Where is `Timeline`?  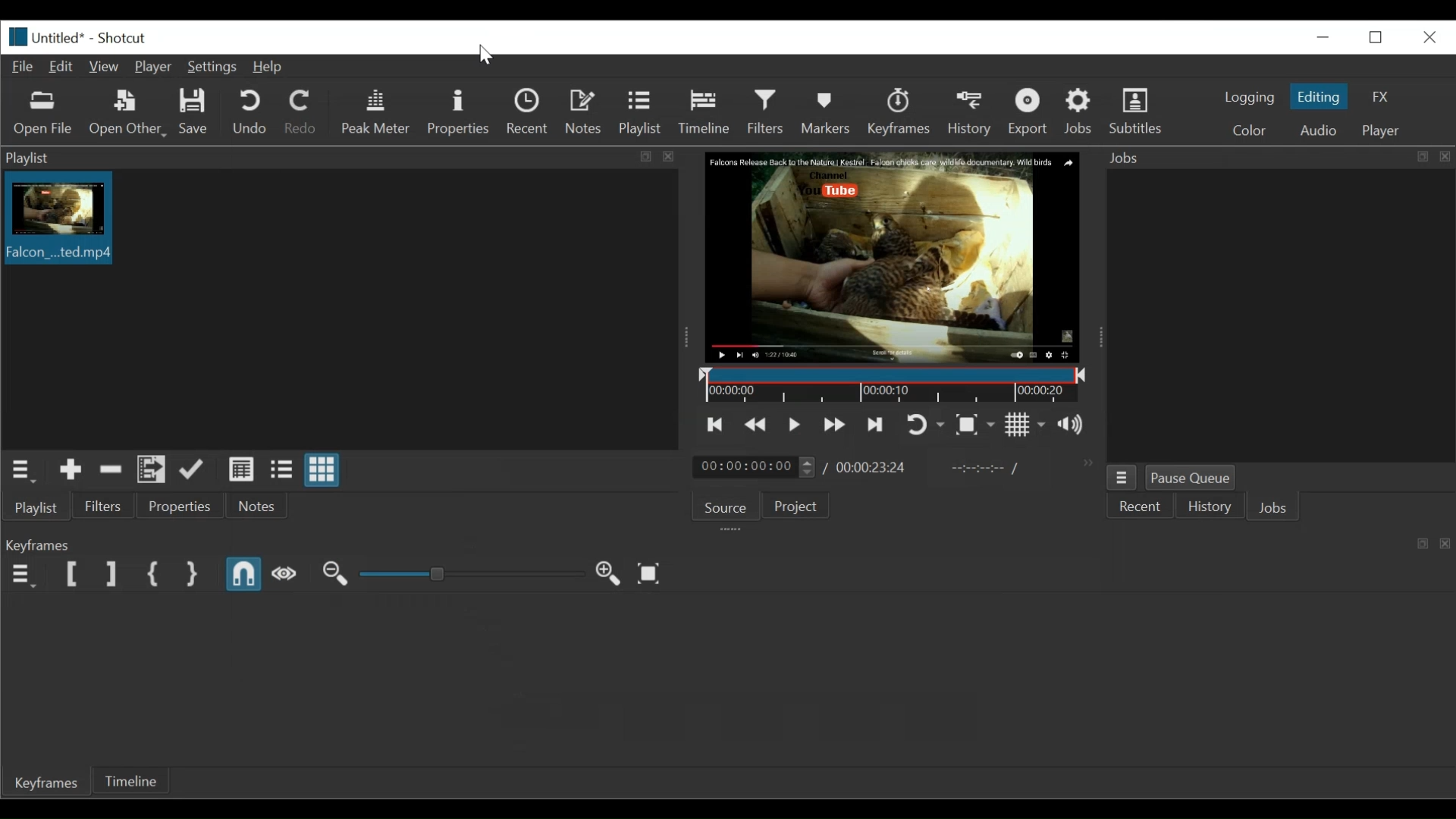
Timeline is located at coordinates (137, 780).